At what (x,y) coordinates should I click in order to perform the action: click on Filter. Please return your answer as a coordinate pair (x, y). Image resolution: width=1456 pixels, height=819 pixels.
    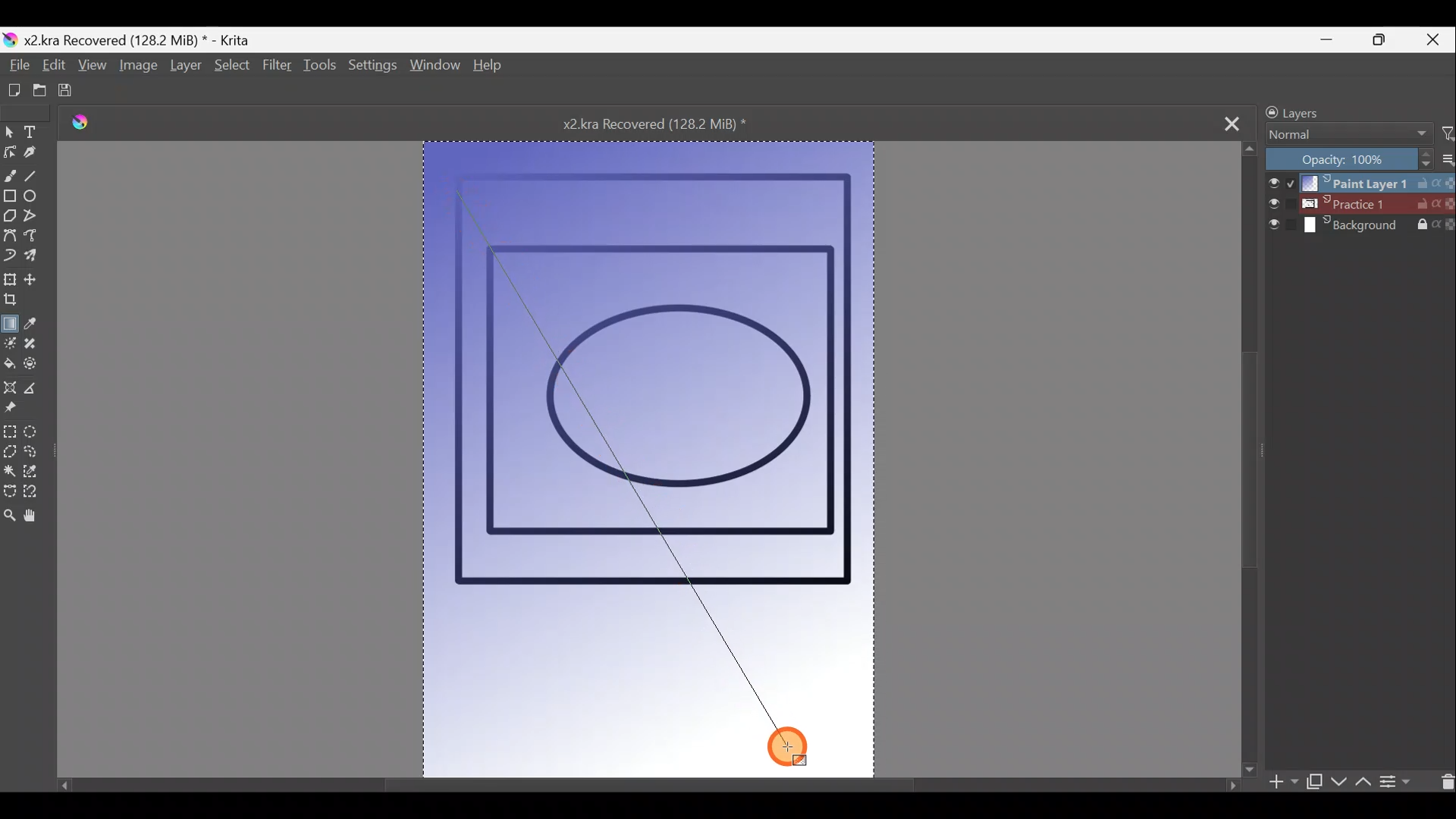
    Looking at the image, I should click on (1447, 134).